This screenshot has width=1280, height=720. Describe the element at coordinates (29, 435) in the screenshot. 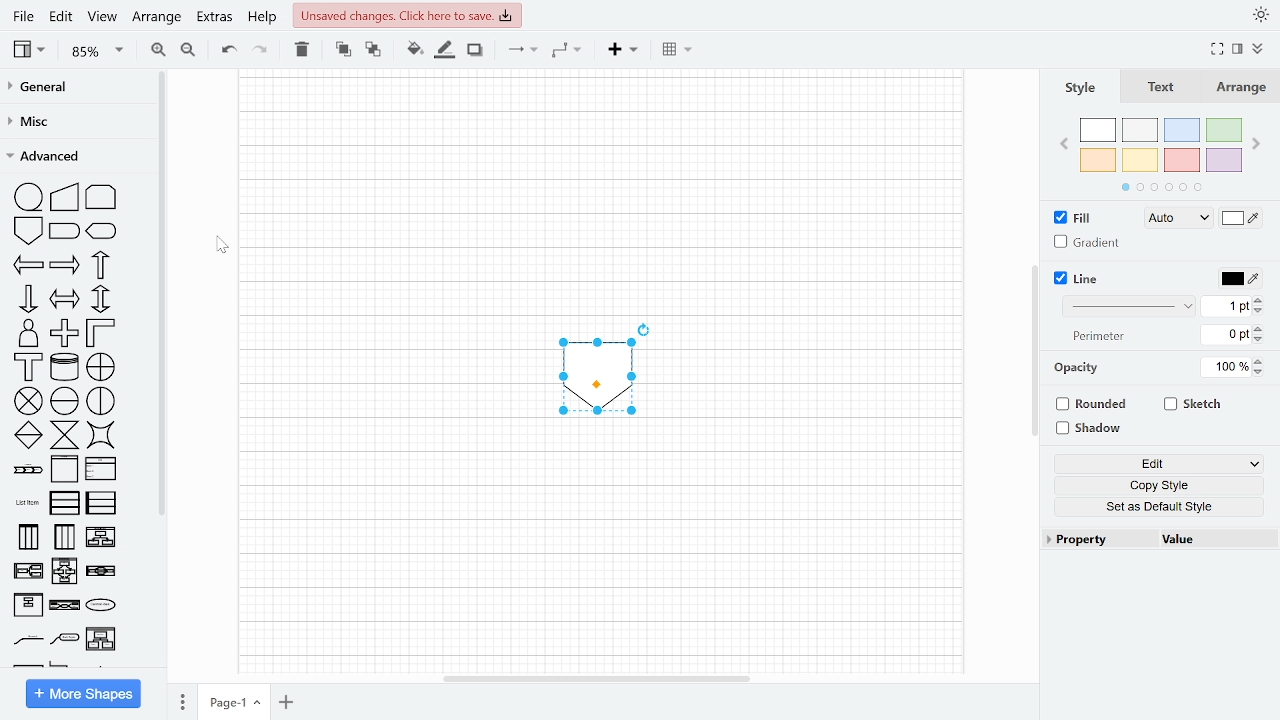

I see `sort ` at that location.